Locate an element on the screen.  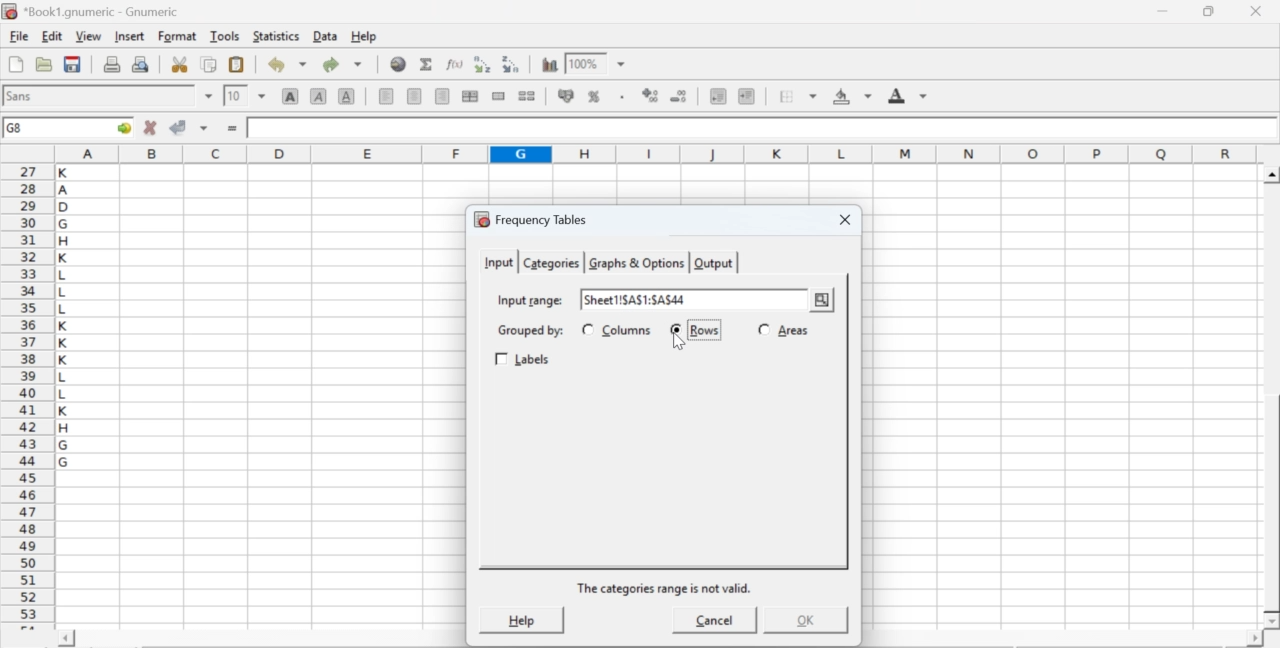
underline is located at coordinates (347, 95).